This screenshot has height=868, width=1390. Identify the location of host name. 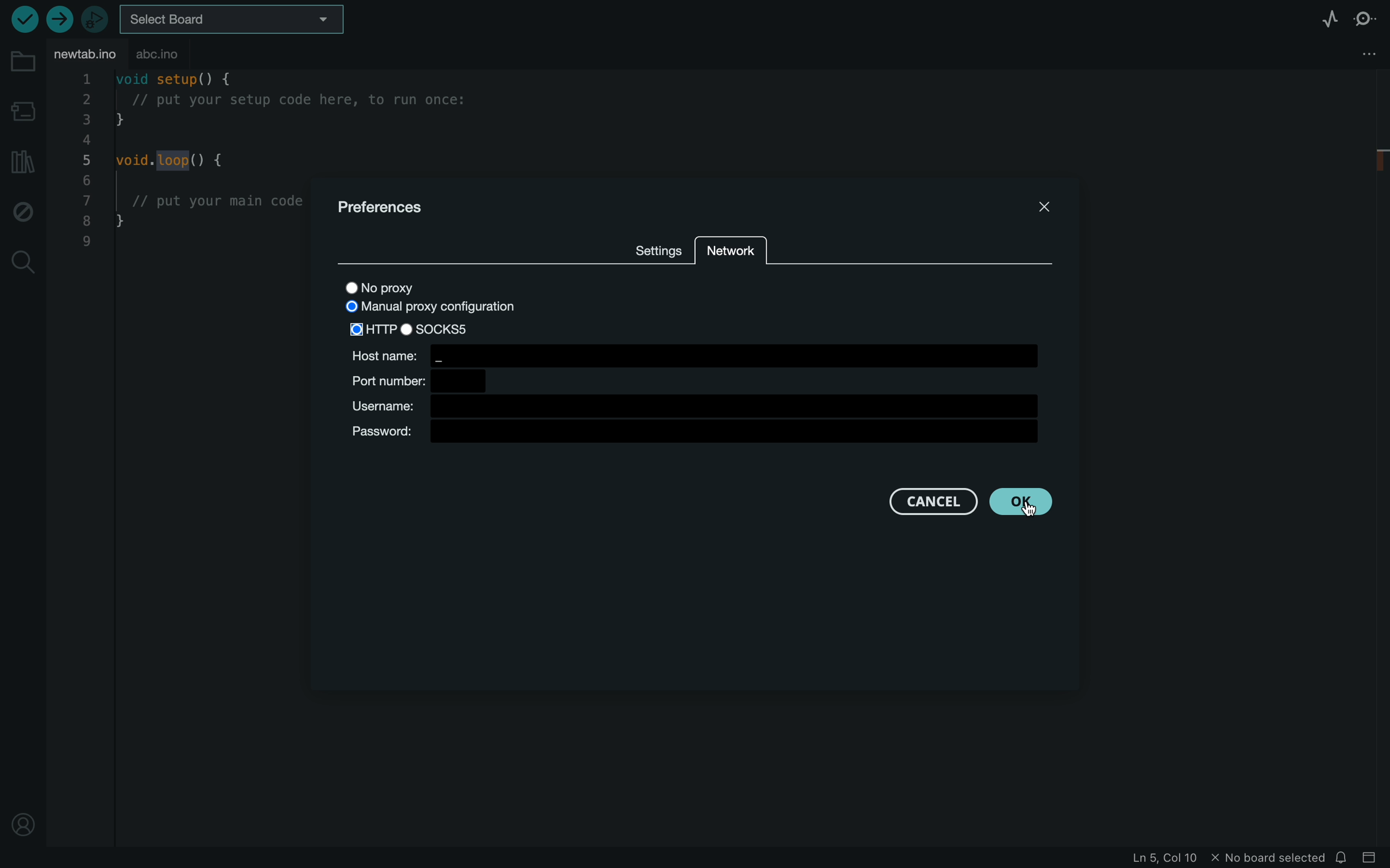
(693, 355).